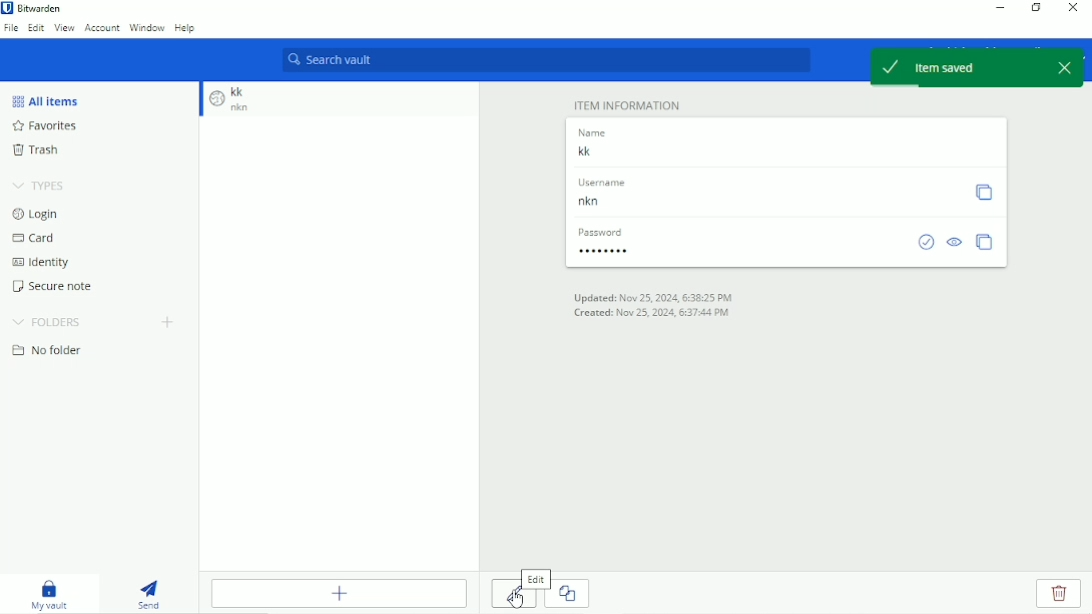 The image size is (1092, 614). Describe the element at coordinates (337, 593) in the screenshot. I see `Add Item` at that location.